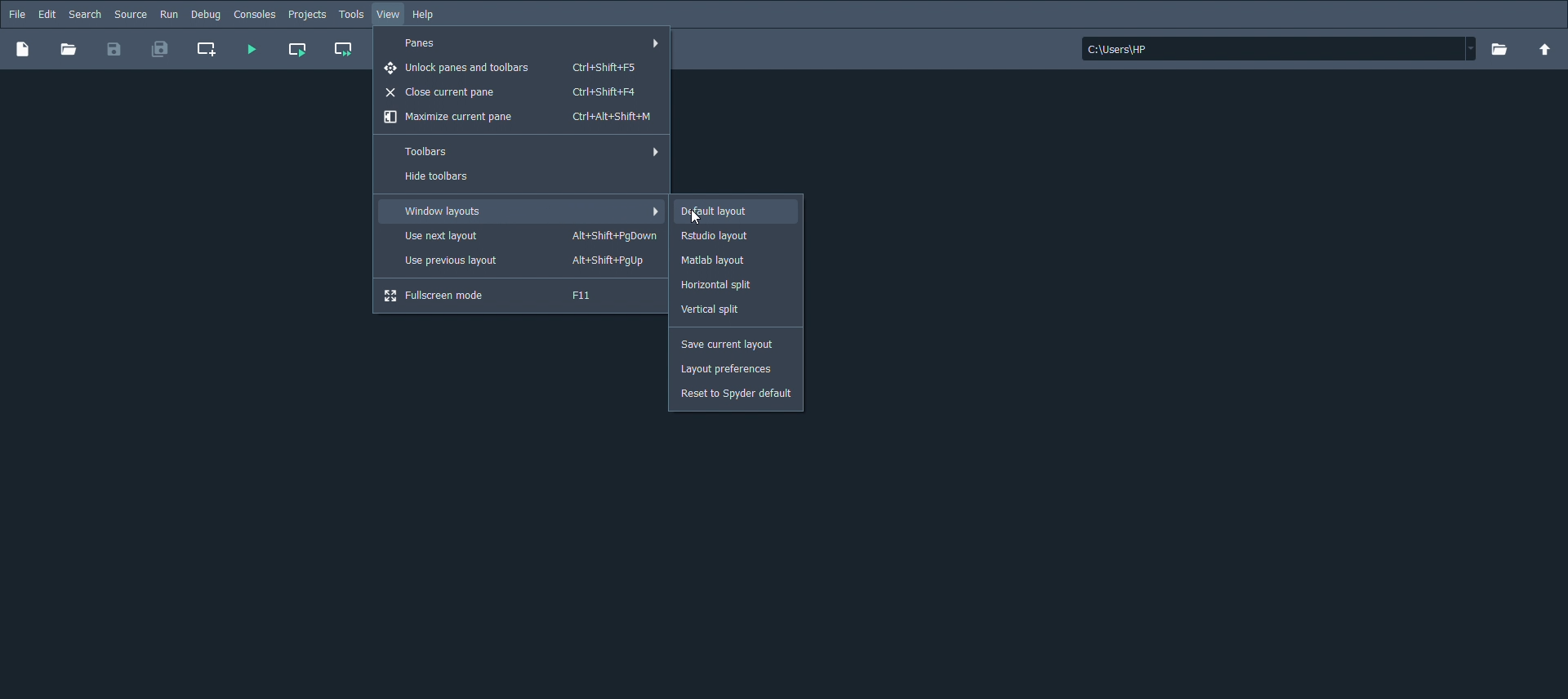 The image size is (1568, 699). I want to click on Horizontal split, so click(718, 286).